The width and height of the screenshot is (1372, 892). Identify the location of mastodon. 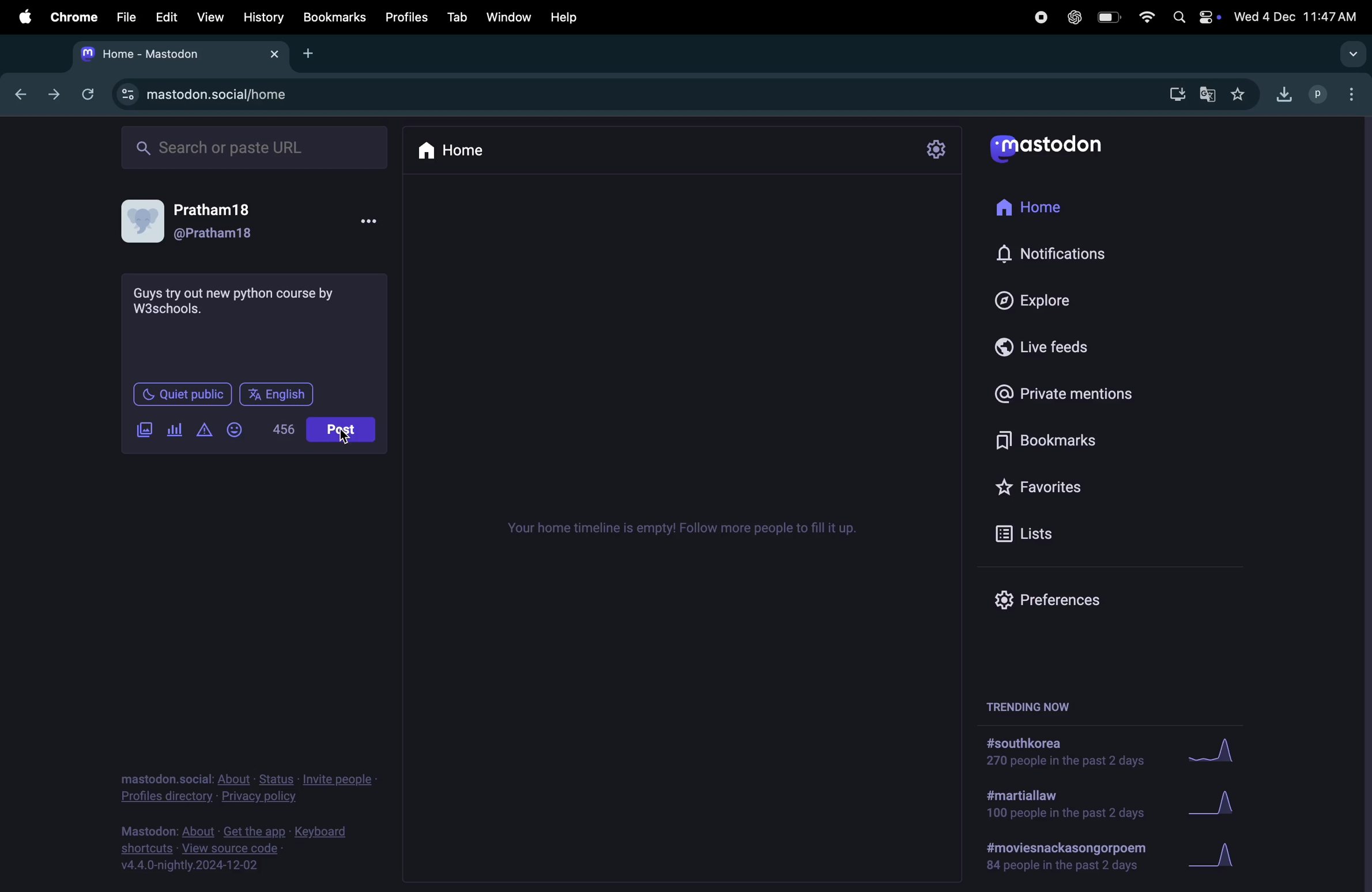
(177, 55).